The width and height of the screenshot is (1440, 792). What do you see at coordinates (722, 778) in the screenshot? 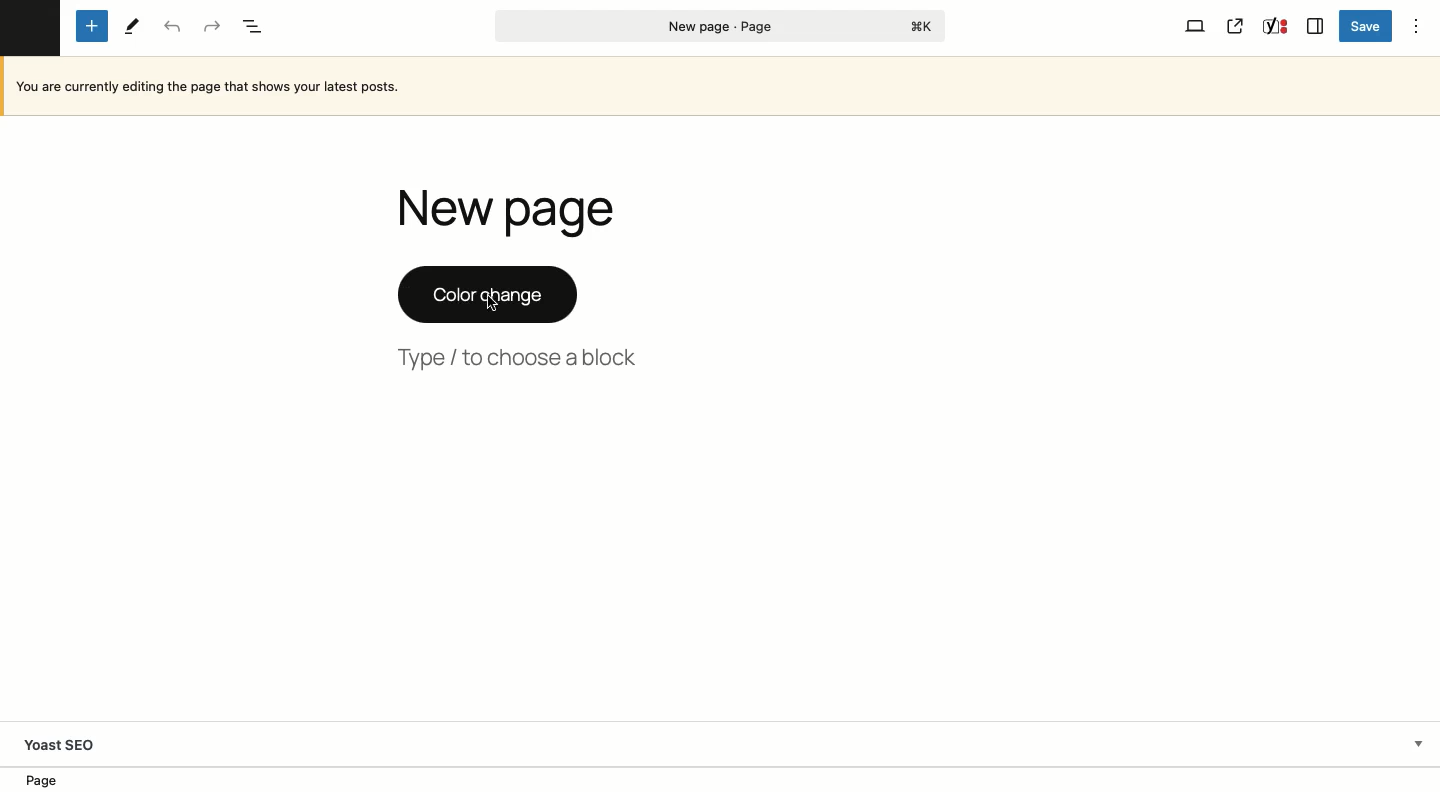
I see `Location` at bounding box center [722, 778].